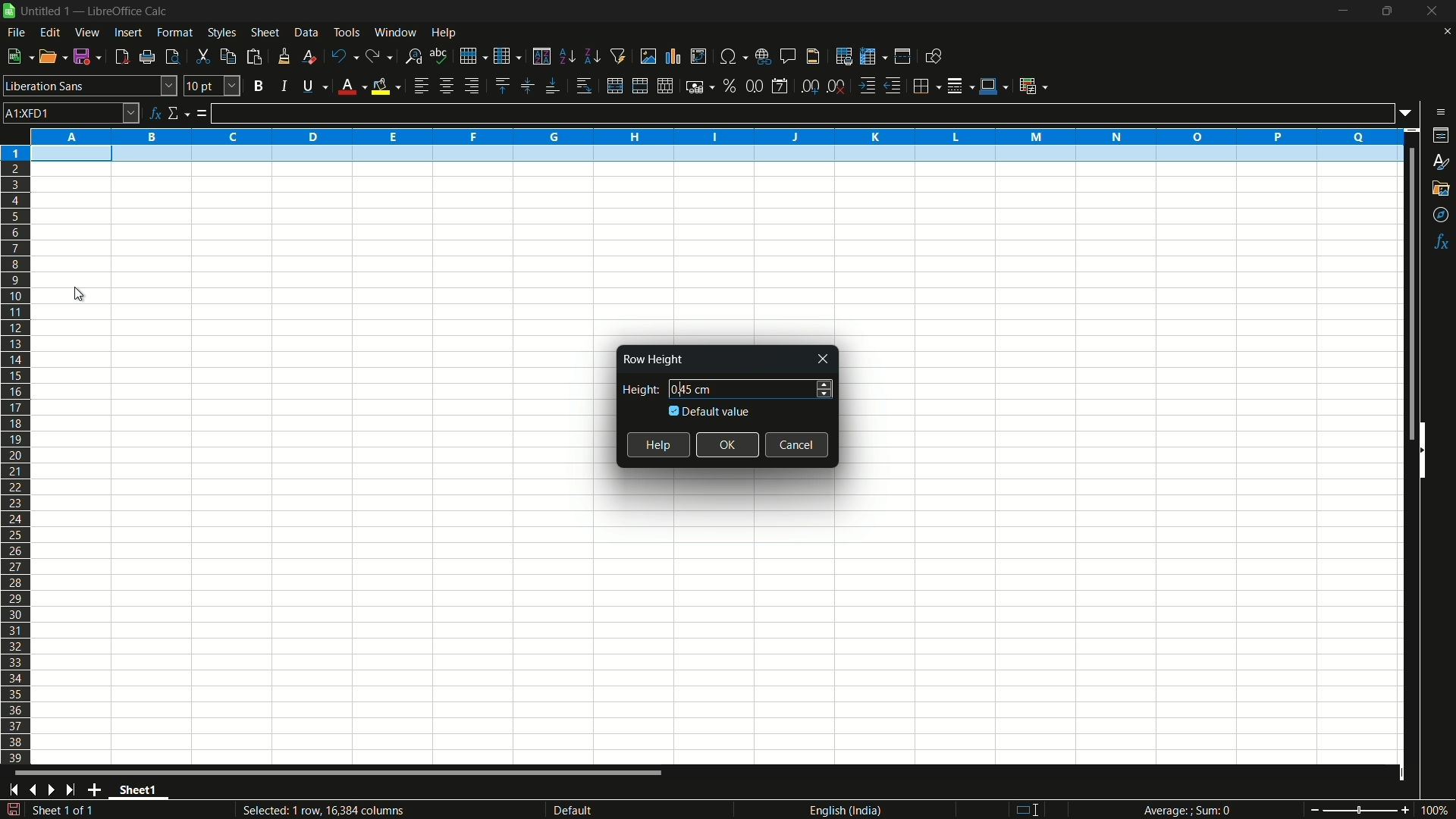 The height and width of the screenshot is (819, 1456). Describe the element at coordinates (350, 87) in the screenshot. I see `font color` at that location.